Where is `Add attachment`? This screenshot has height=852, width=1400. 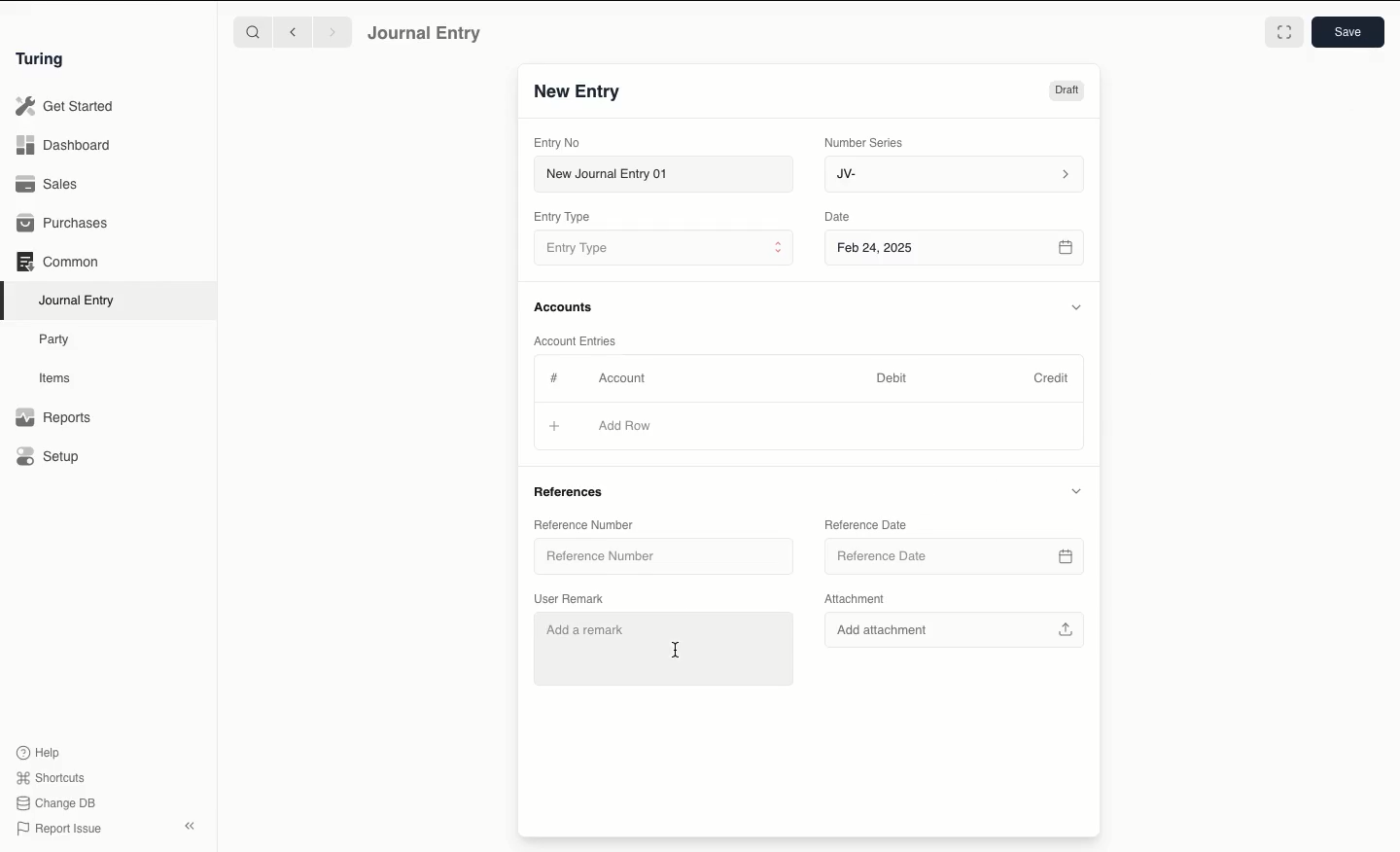
Add attachment is located at coordinates (955, 629).